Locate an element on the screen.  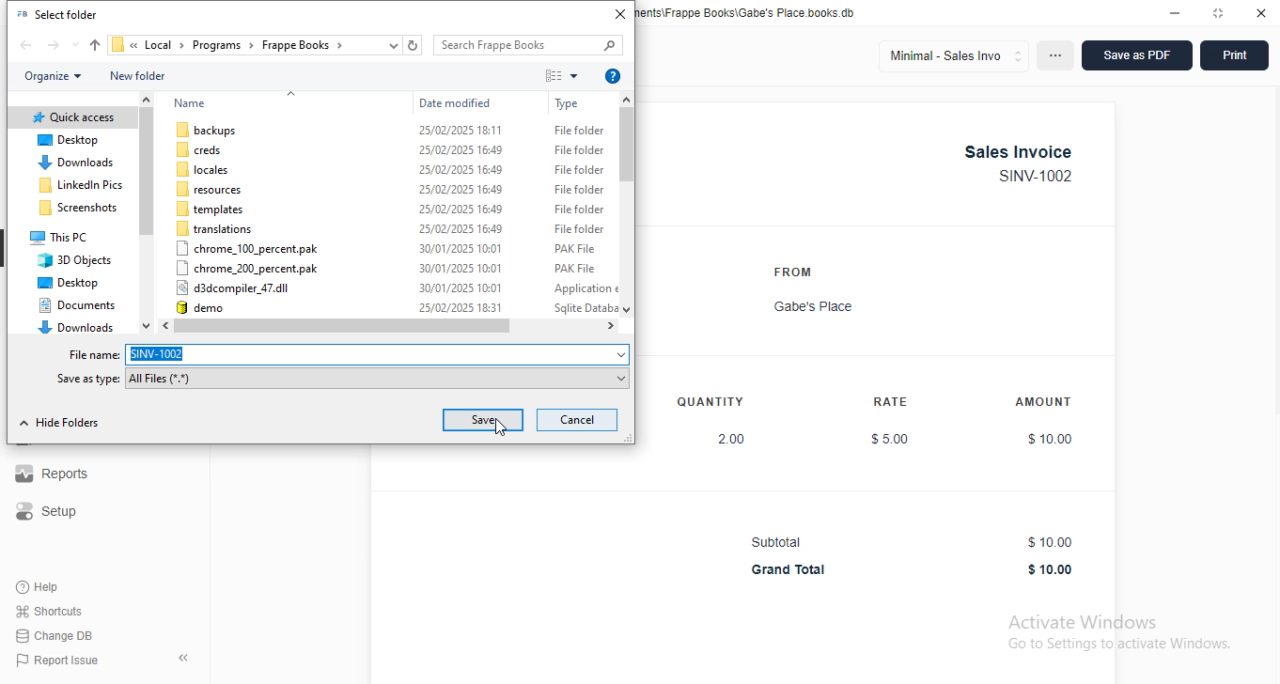
close is located at coordinates (1260, 12).